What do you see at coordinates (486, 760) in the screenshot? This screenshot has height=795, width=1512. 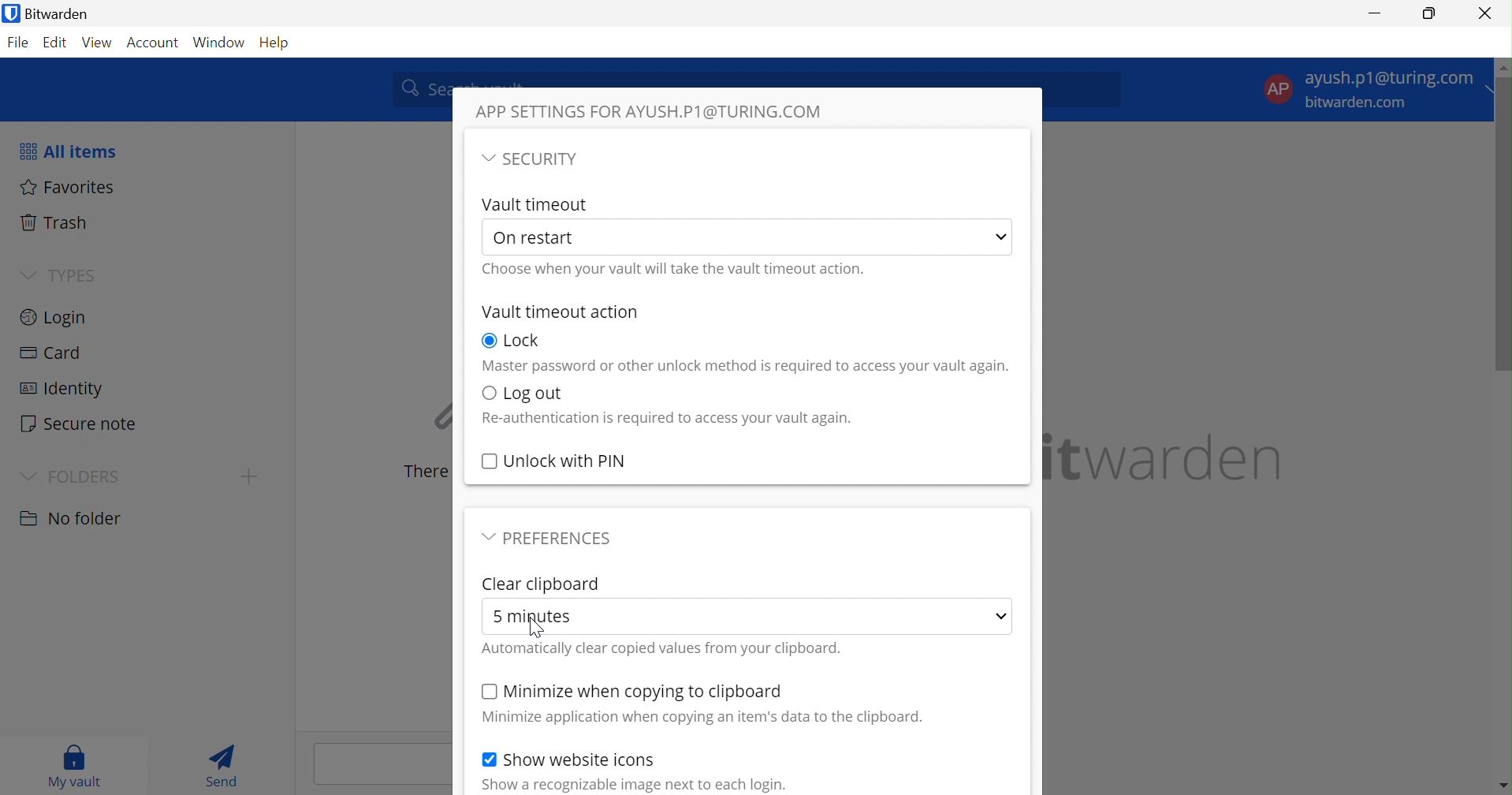 I see `Checkbox` at bounding box center [486, 760].